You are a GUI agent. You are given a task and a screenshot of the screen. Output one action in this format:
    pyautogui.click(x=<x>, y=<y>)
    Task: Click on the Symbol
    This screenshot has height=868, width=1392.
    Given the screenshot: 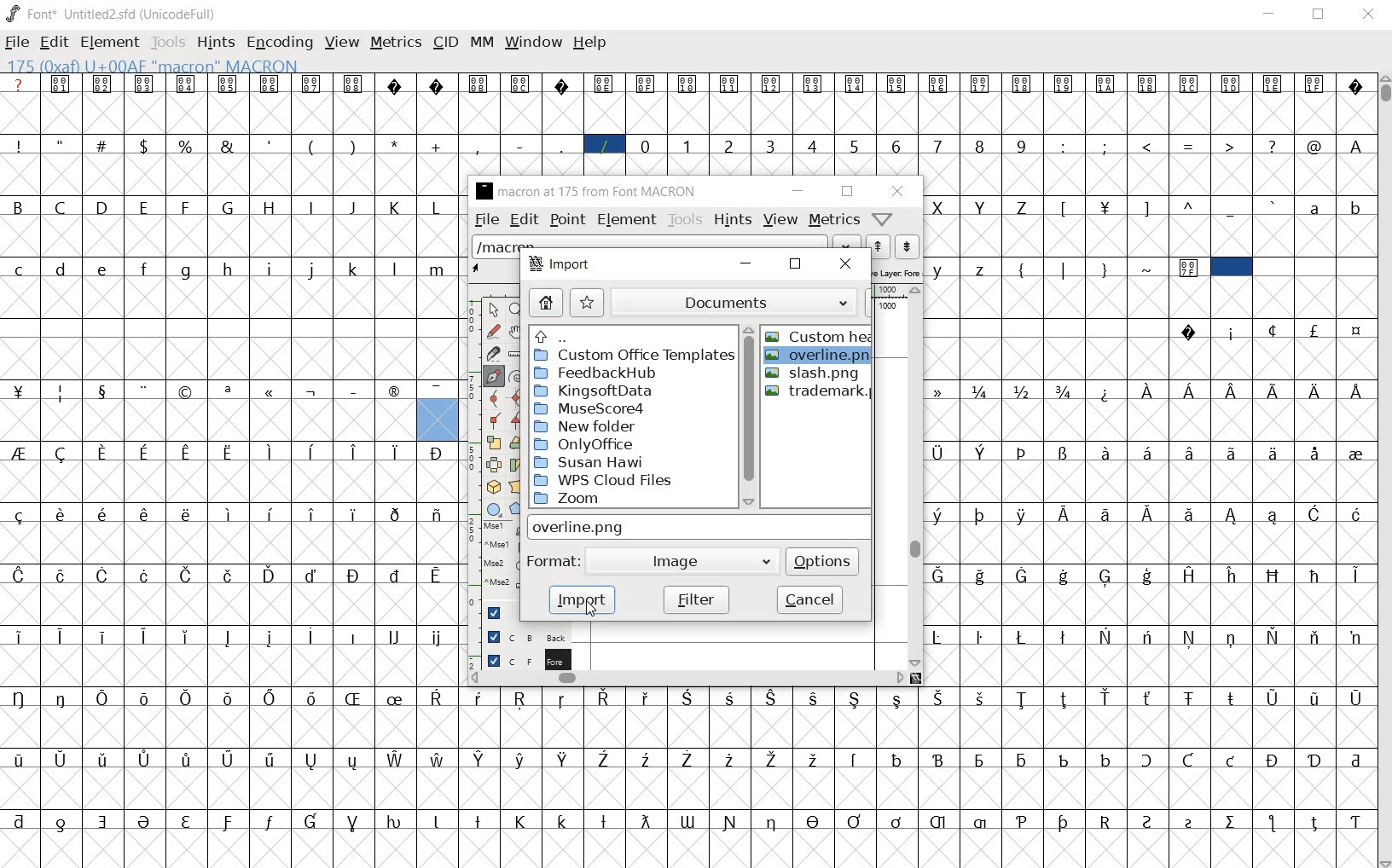 What is the action you would take?
    pyautogui.click(x=313, y=451)
    